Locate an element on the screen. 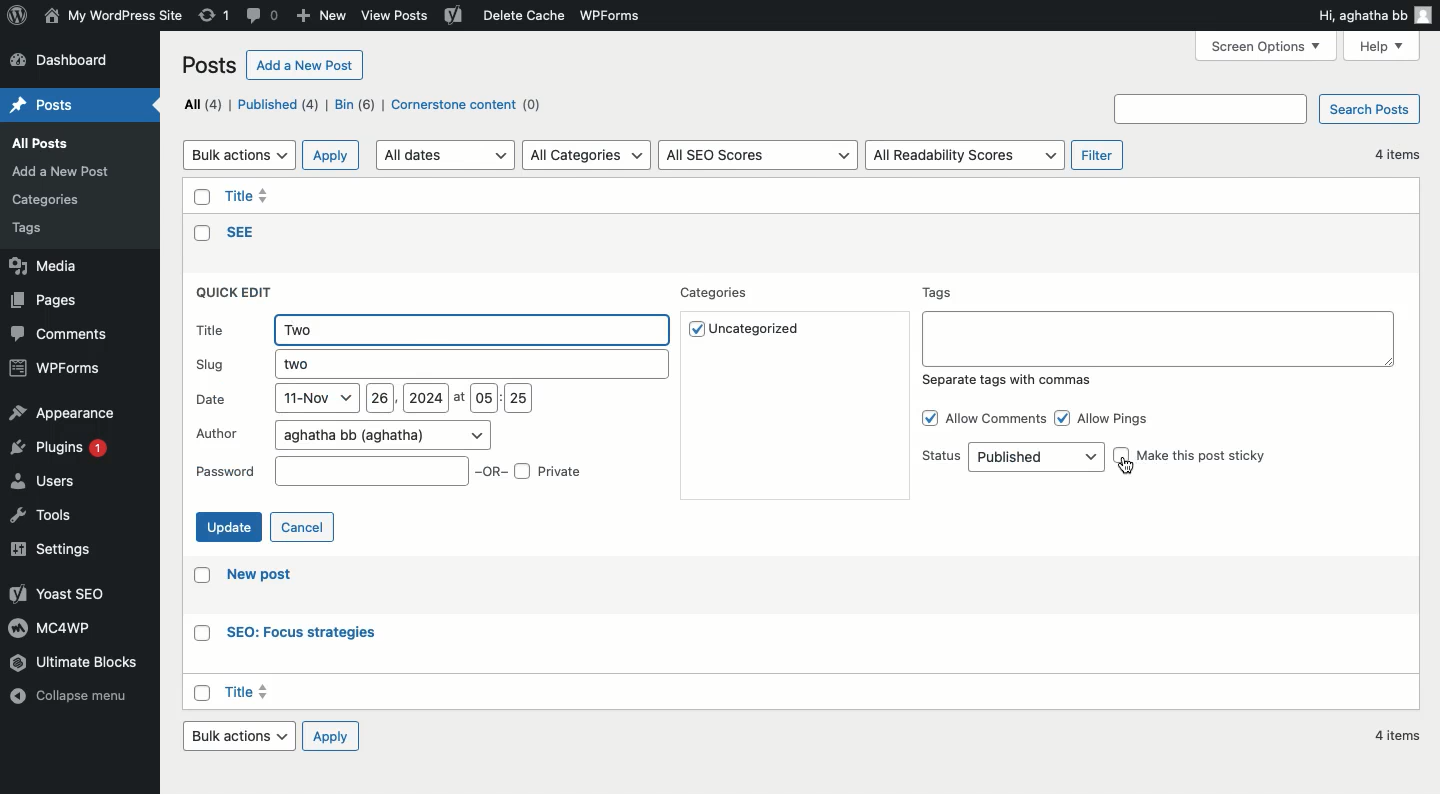  New is located at coordinates (320, 17).